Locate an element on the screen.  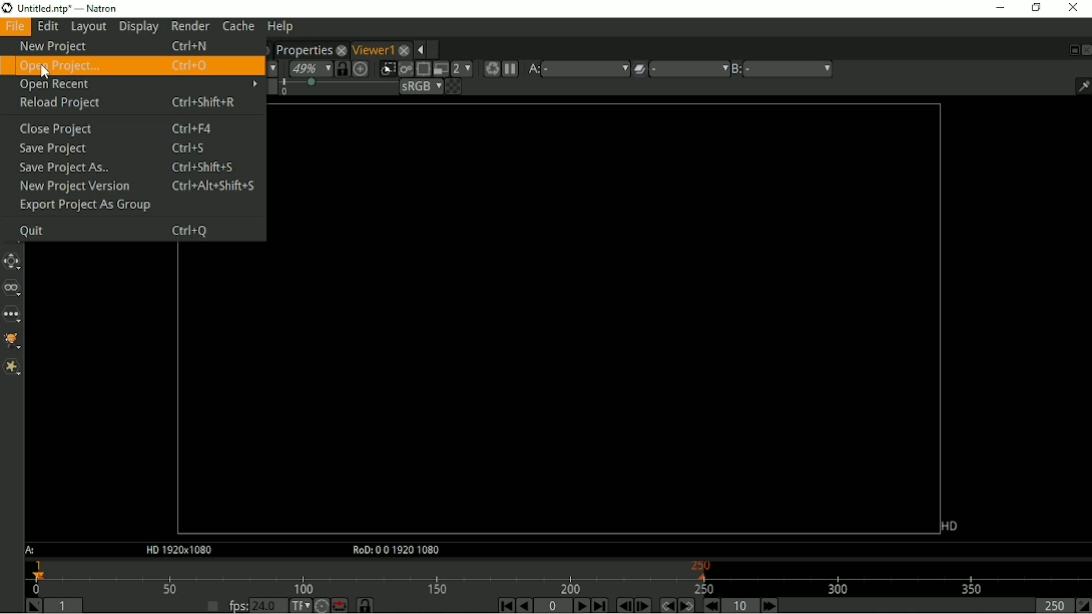
Previous increment is located at coordinates (710, 605).